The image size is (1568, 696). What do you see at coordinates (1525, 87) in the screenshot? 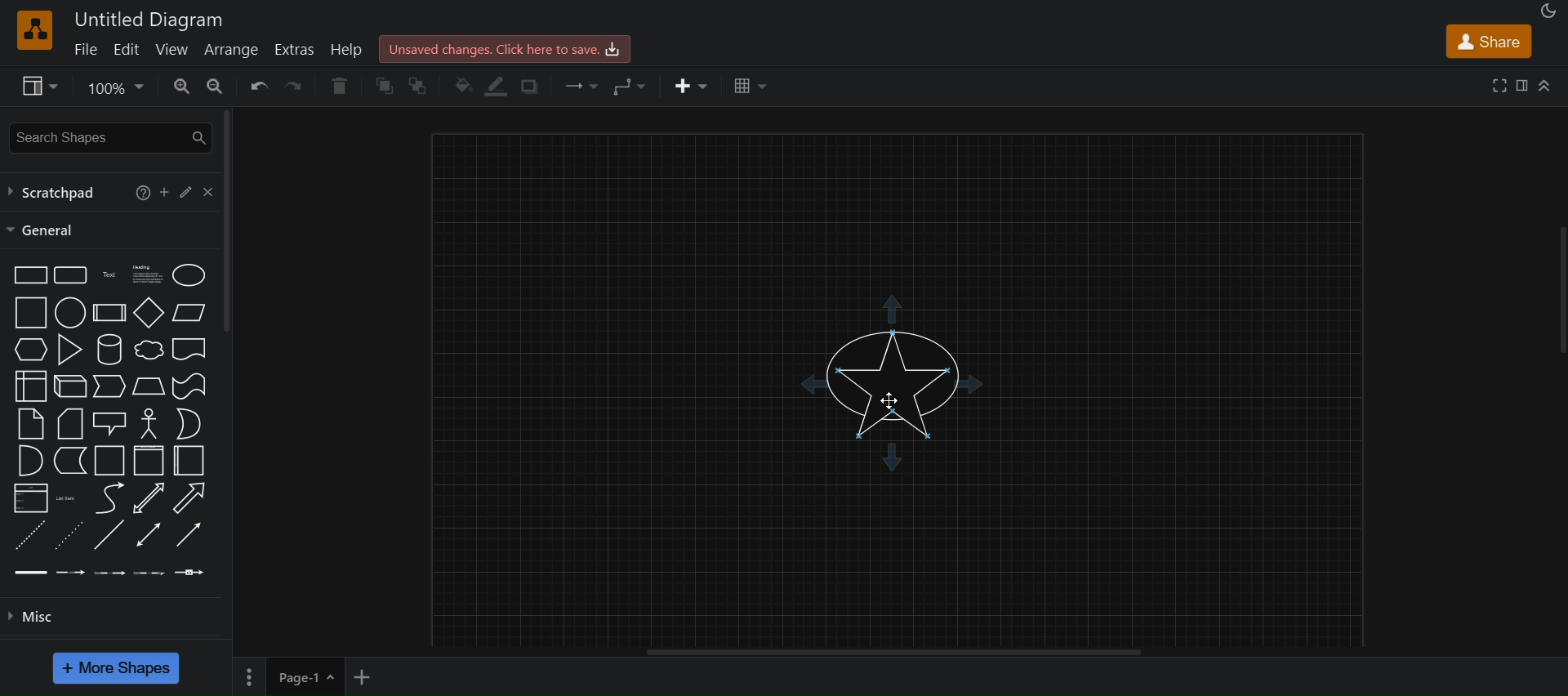
I see `format` at bounding box center [1525, 87].